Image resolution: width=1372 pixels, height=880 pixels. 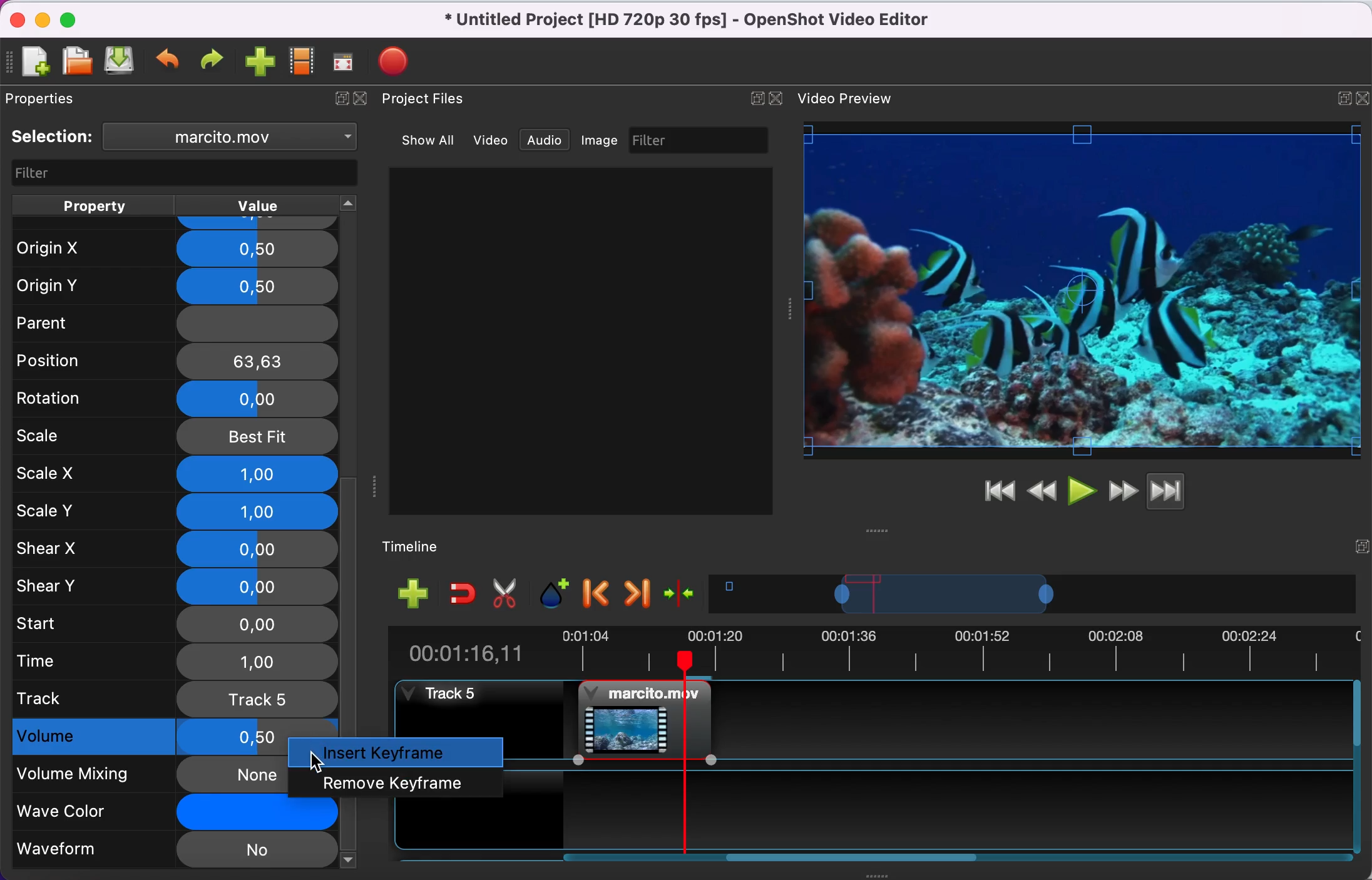 What do you see at coordinates (402, 752) in the screenshot?
I see `insert keyframe` at bounding box center [402, 752].